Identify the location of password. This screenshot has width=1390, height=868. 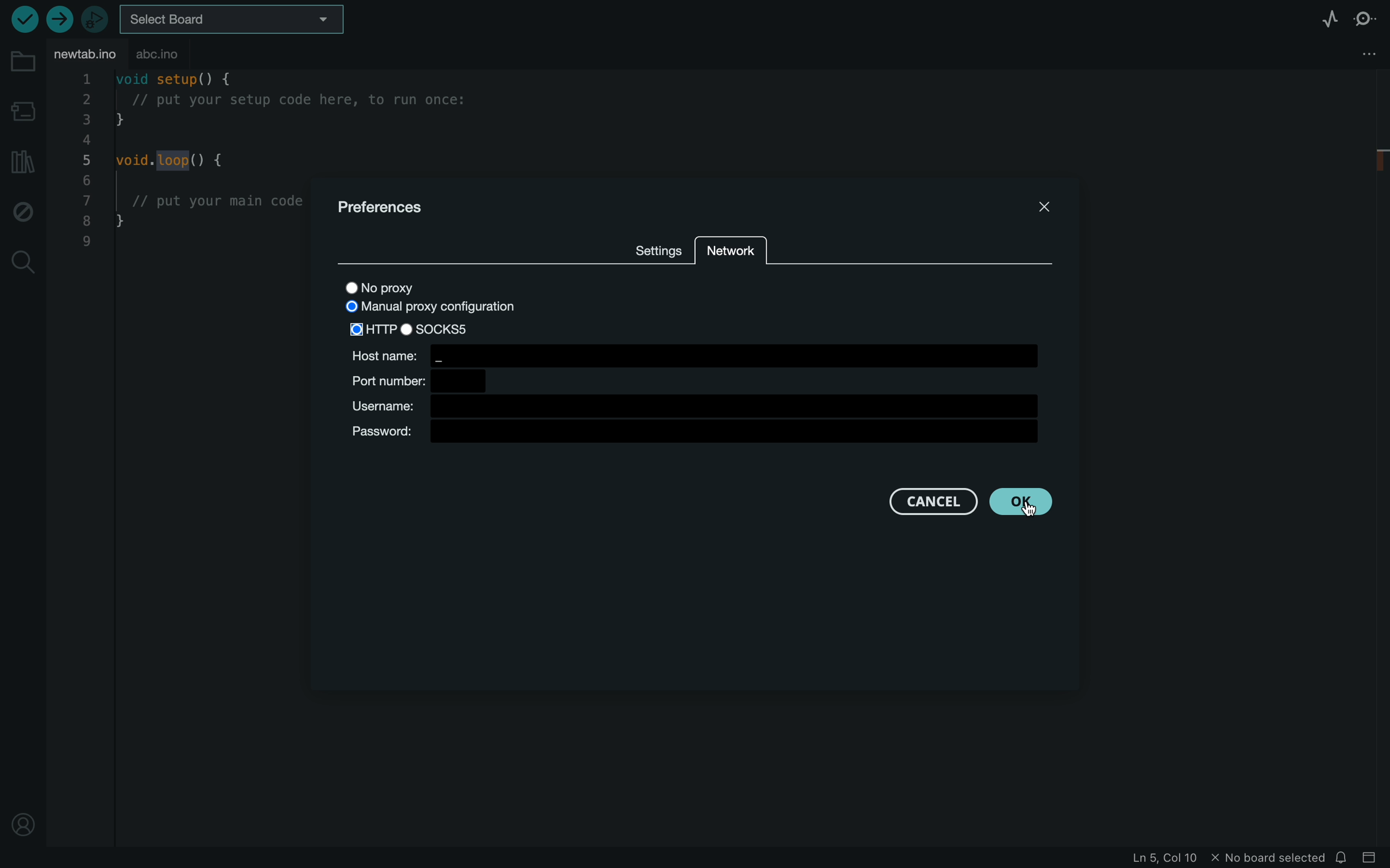
(699, 434).